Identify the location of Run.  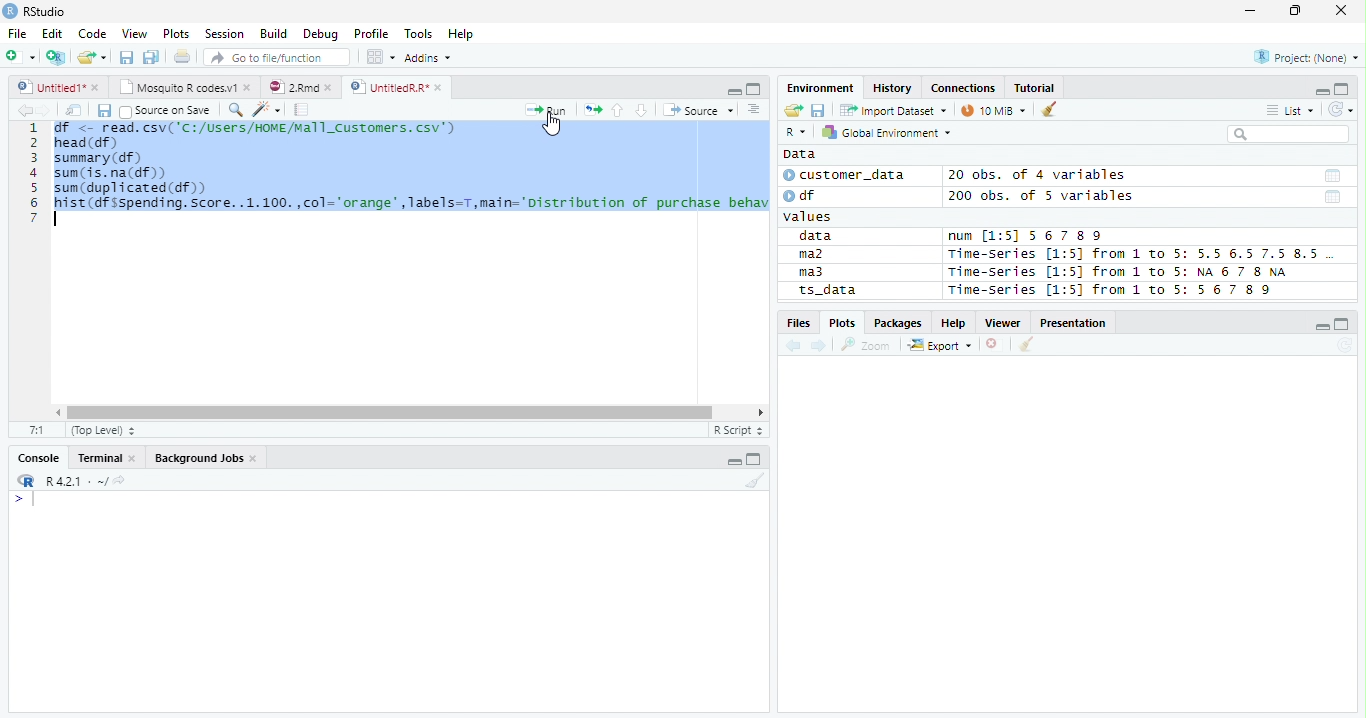
(548, 111).